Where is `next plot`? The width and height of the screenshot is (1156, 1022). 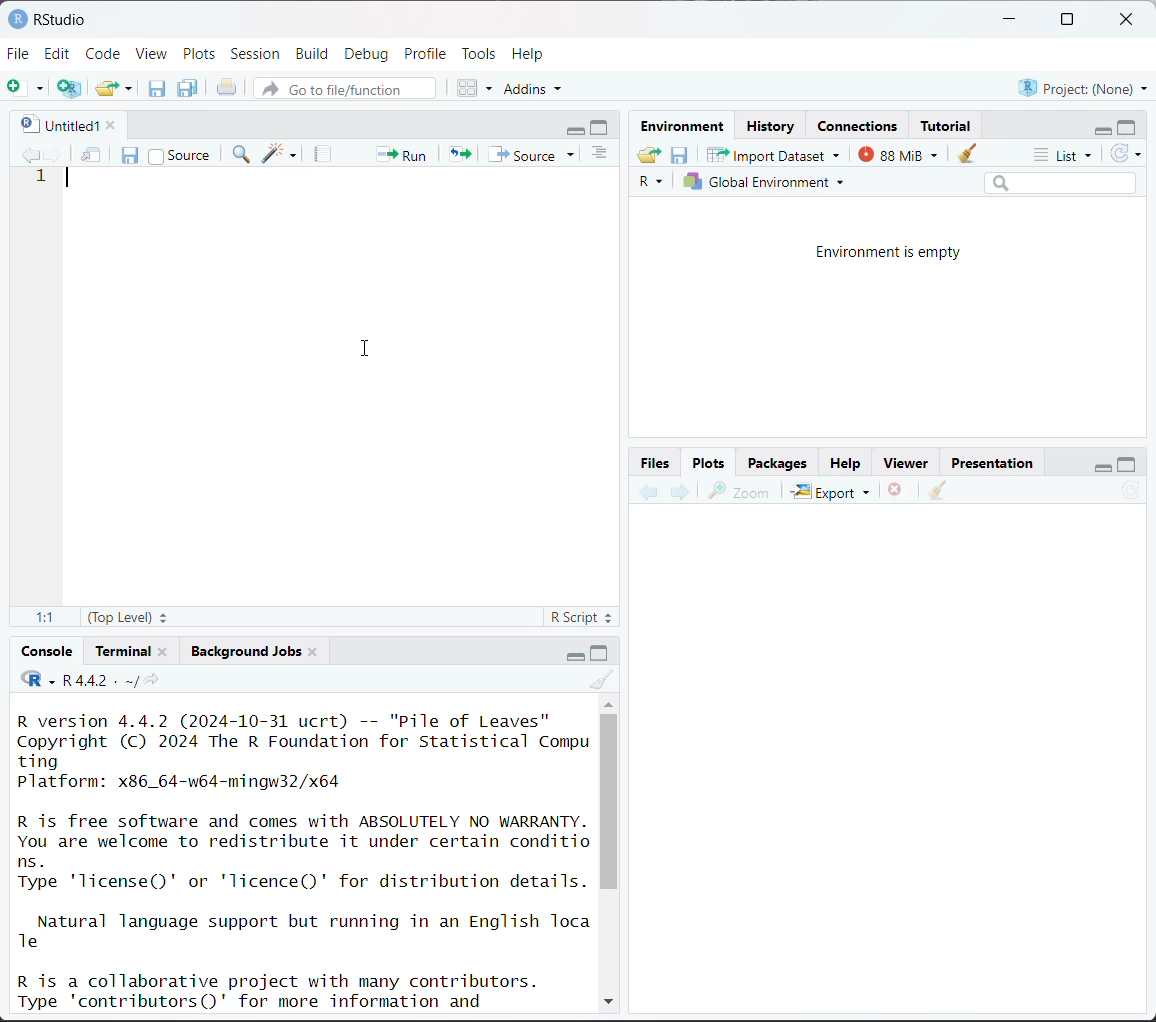
next plot is located at coordinates (678, 492).